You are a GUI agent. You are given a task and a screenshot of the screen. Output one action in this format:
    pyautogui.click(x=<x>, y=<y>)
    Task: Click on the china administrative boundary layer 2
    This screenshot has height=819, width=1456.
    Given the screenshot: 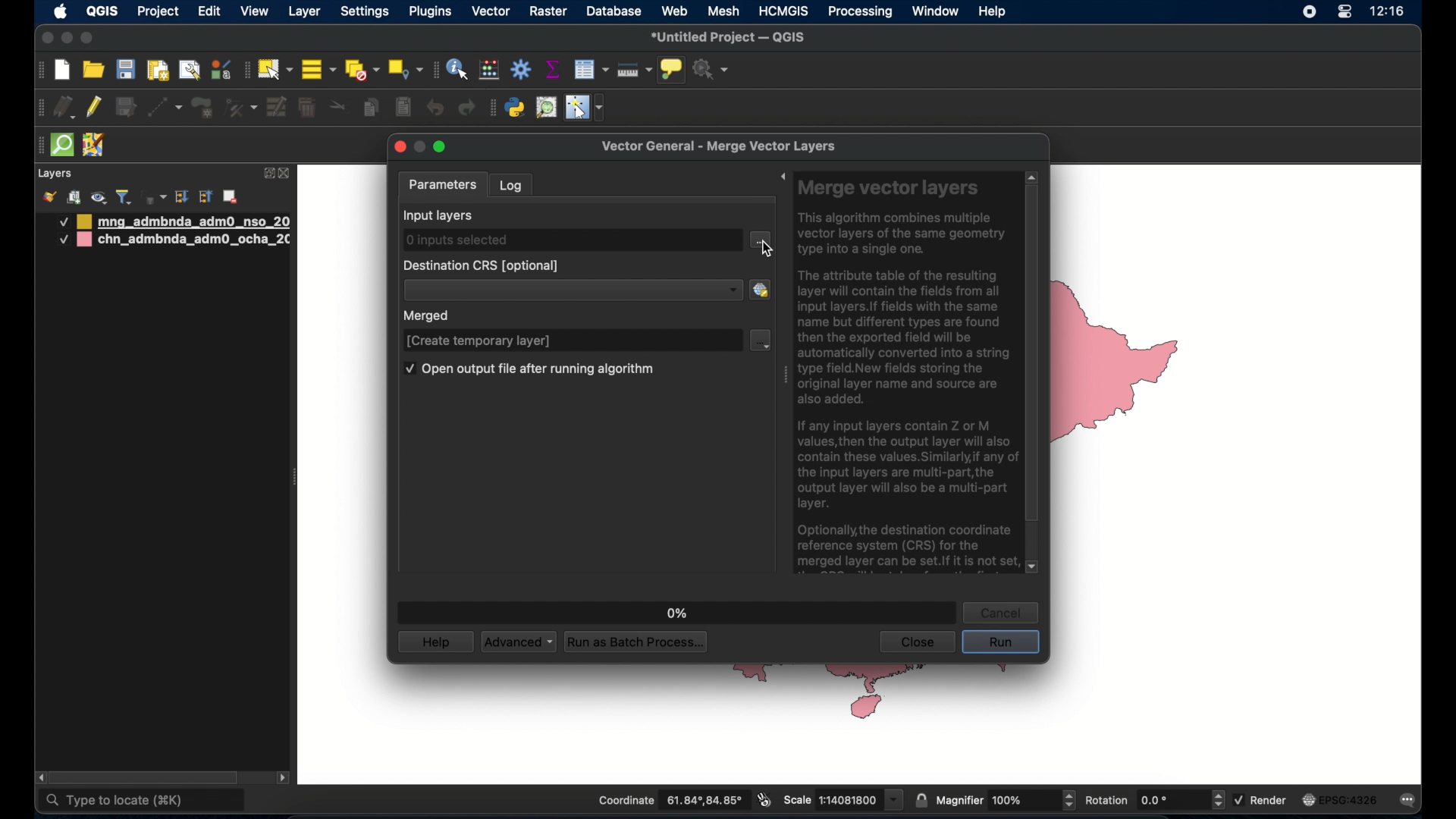 What is the action you would take?
    pyautogui.click(x=174, y=241)
    